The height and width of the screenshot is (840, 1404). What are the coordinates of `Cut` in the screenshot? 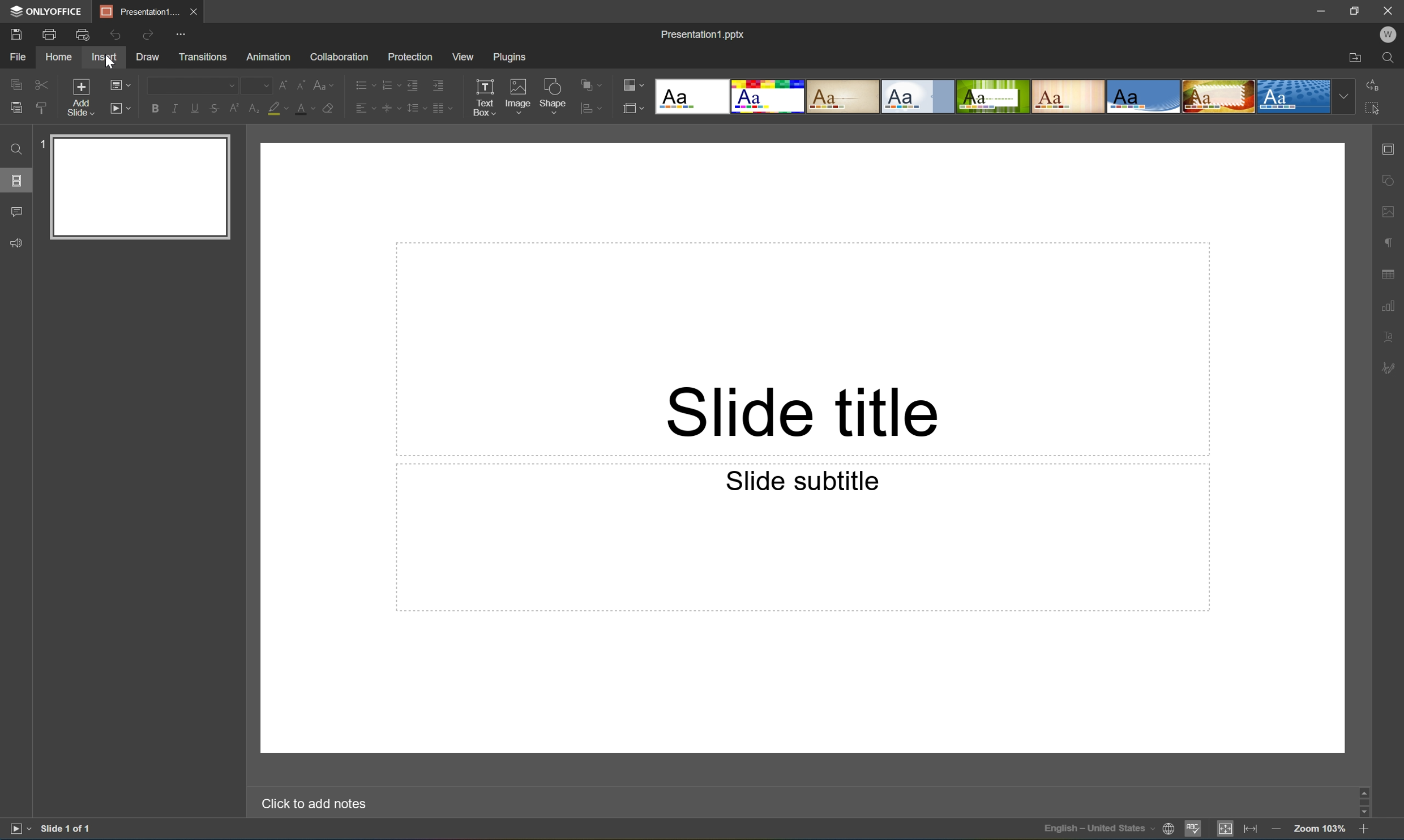 It's located at (42, 84).